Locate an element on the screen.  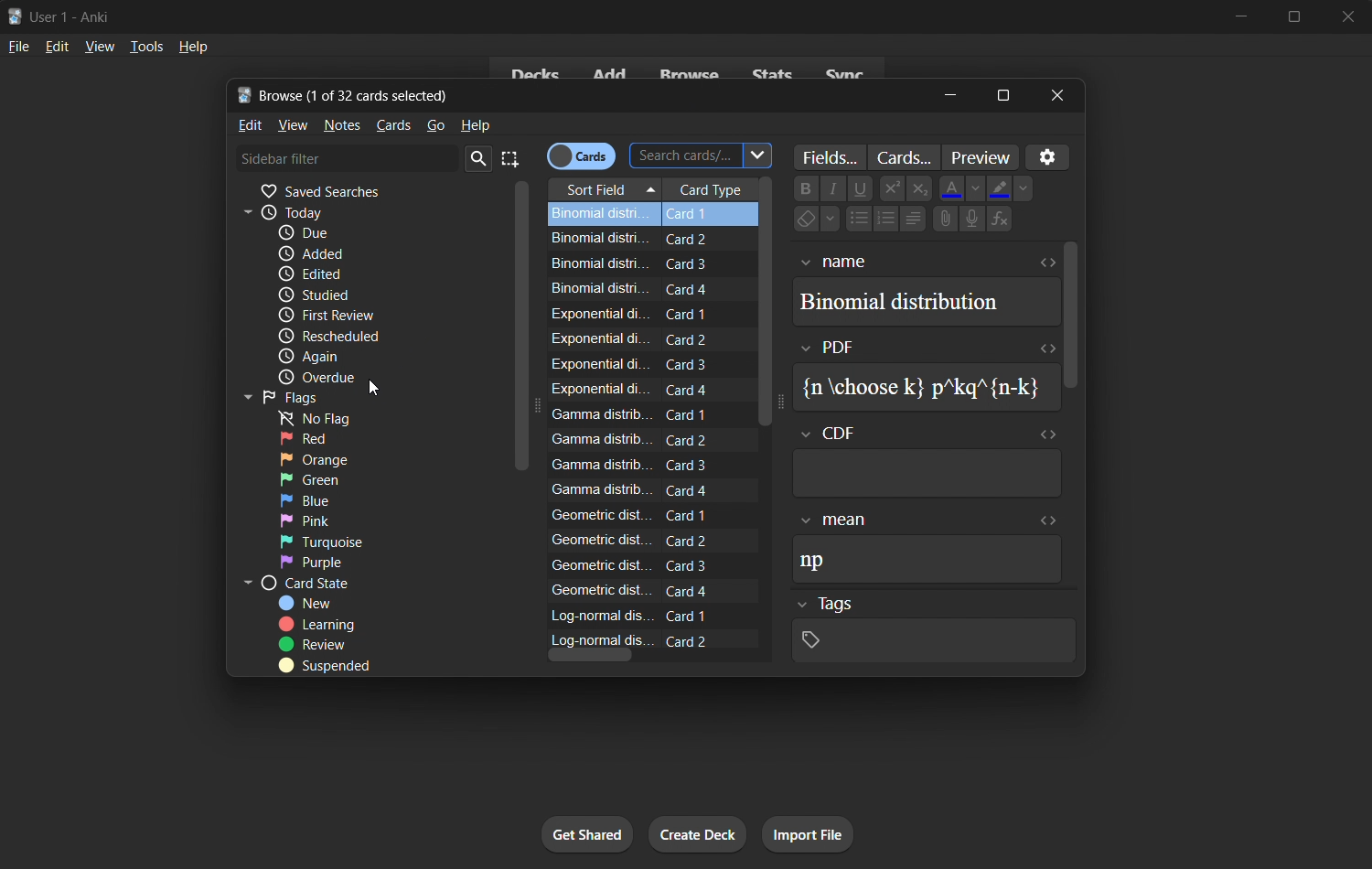
expand is located at coordinates (1047, 519).